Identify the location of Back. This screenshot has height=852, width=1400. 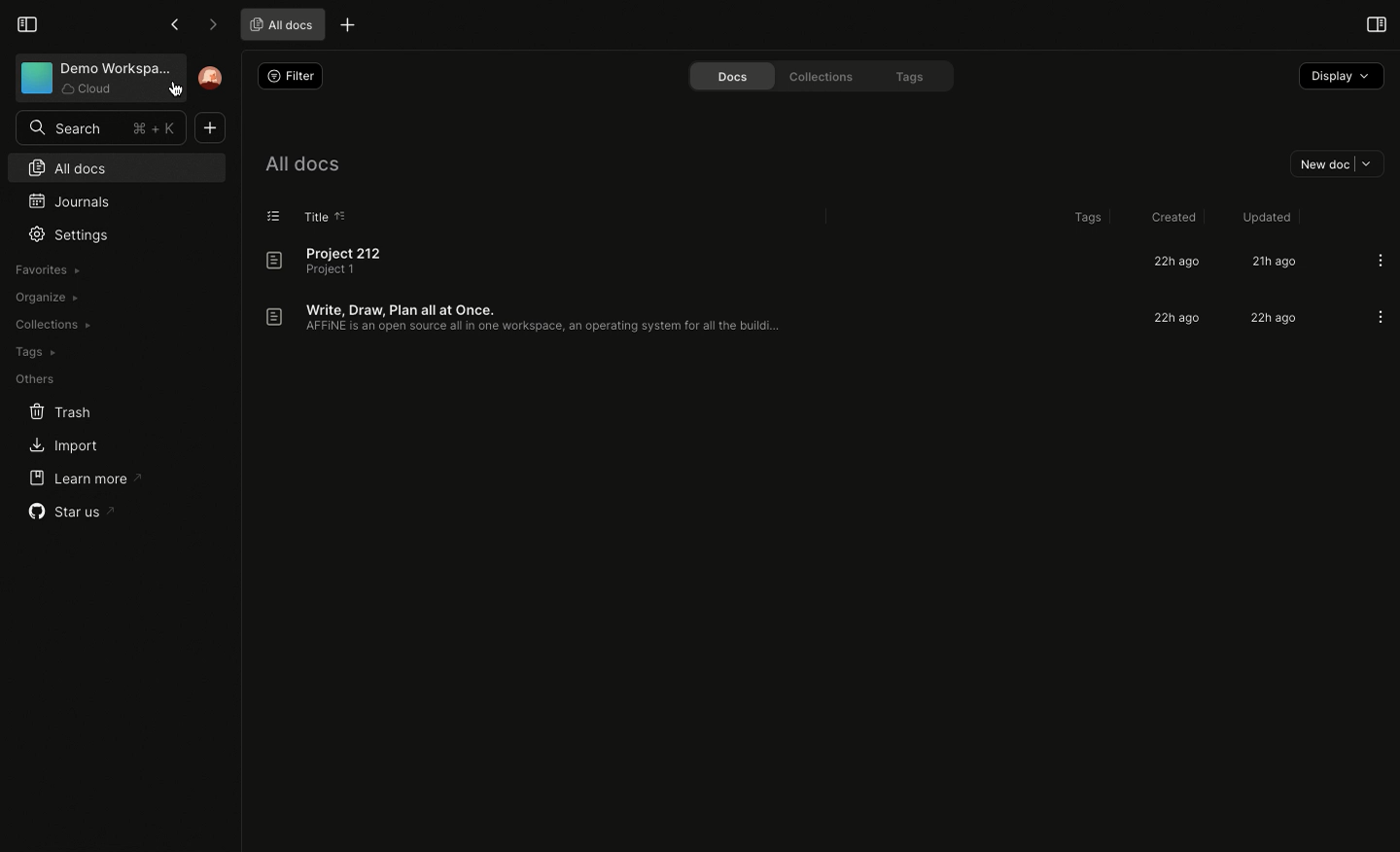
(174, 24).